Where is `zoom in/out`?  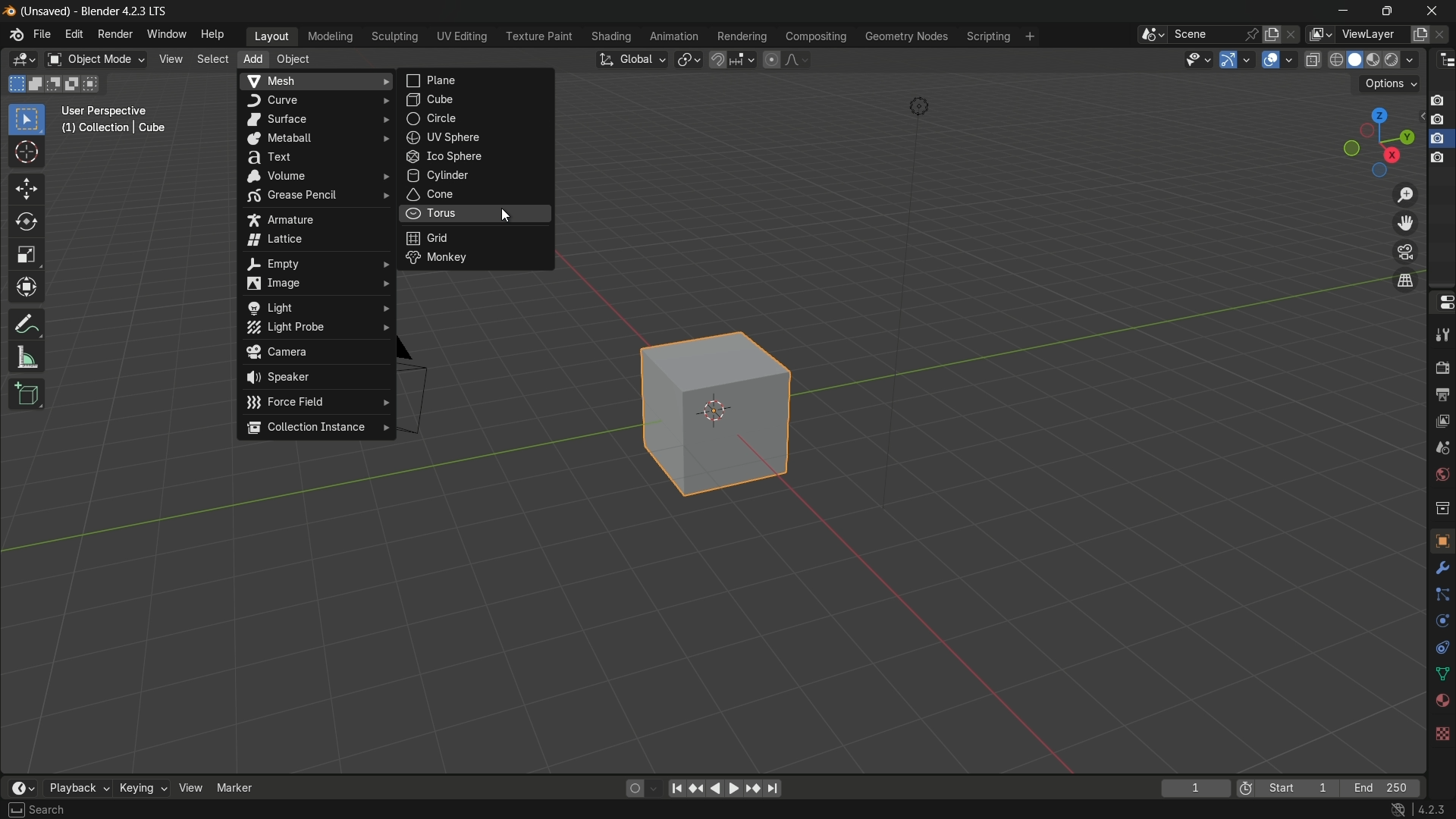 zoom in/out is located at coordinates (1405, 194).